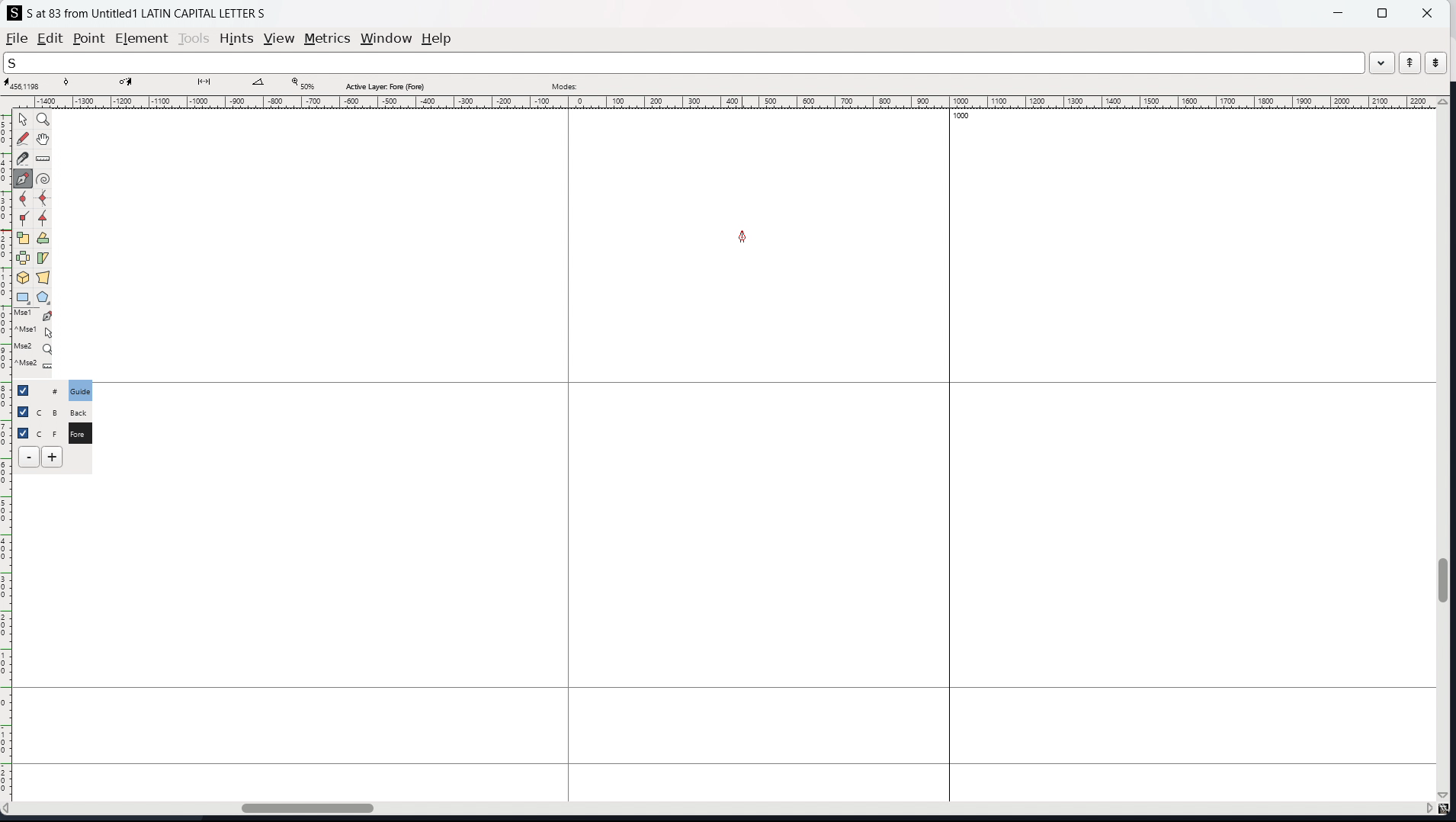 This screenshot has width=1456, height=822. I want to click on polygon and stars, so click(44, 298).